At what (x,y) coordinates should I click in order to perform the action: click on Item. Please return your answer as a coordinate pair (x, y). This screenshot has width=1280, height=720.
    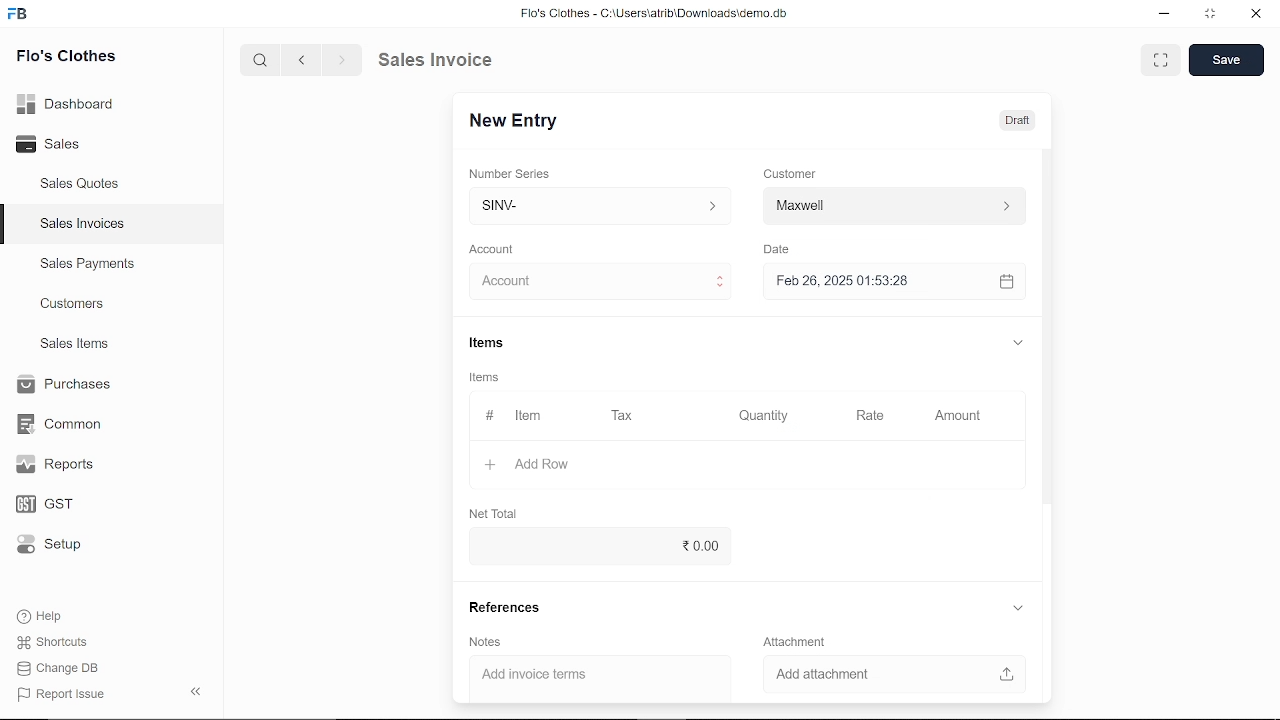
    Looking at the image, I should click on (517, 417).